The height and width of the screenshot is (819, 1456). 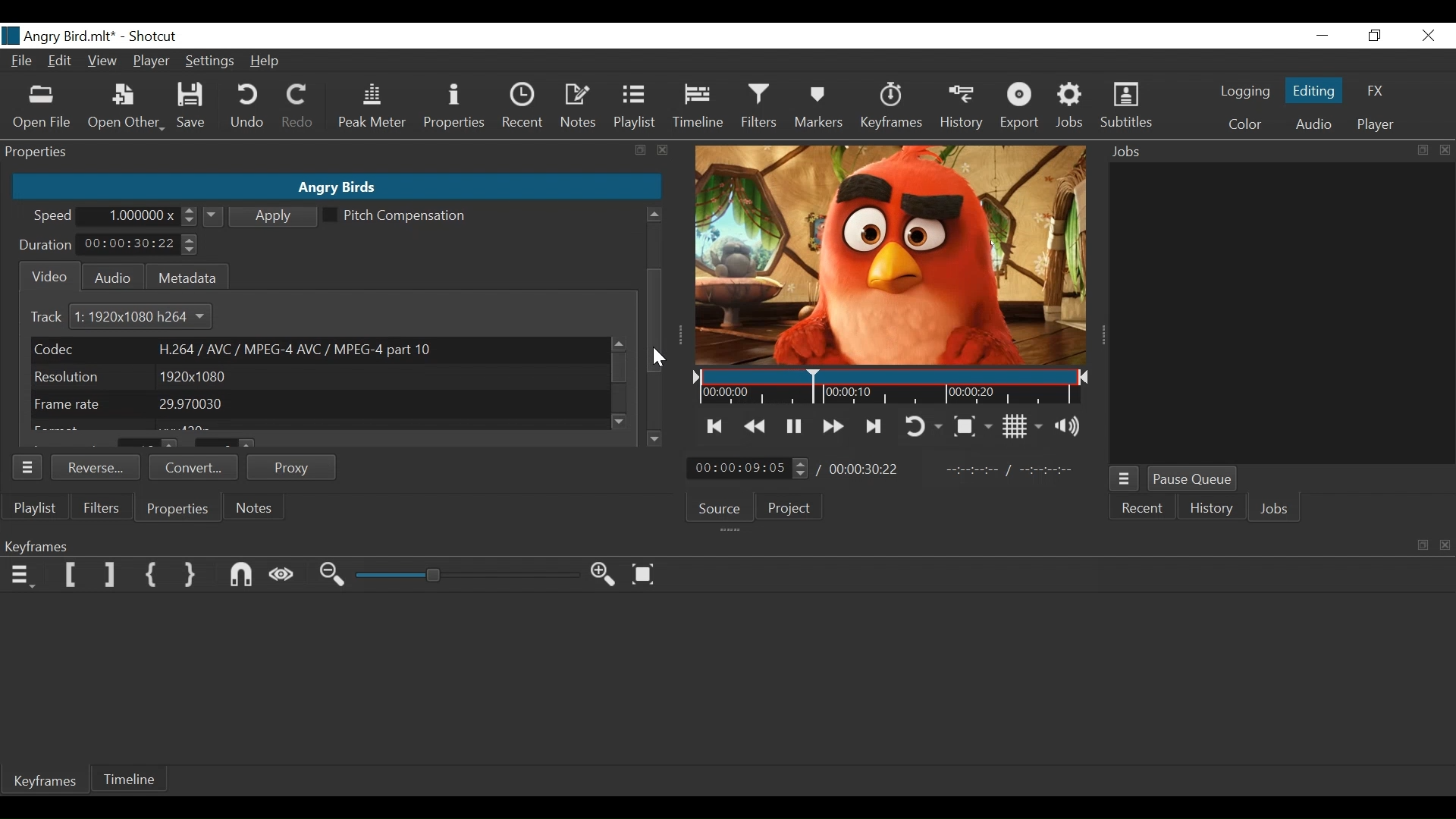 I want to click on Player, so click(x=151, y=61).